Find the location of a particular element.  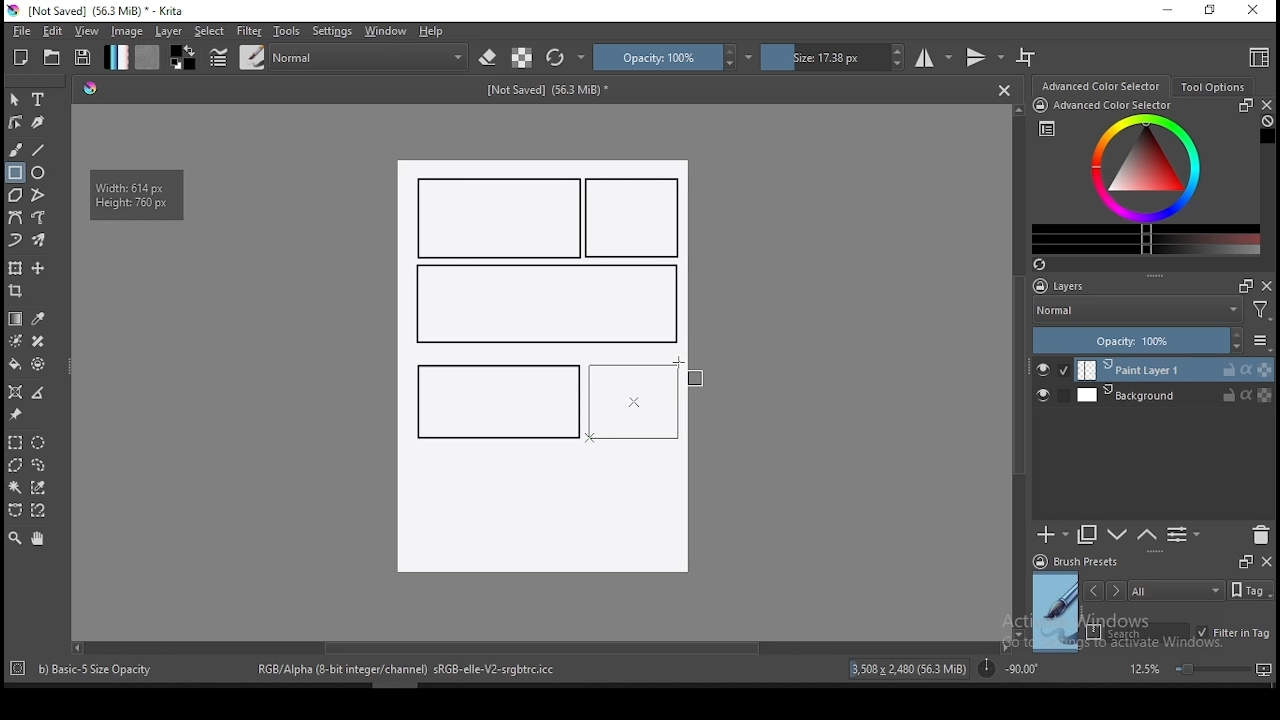

pan tool is located at coordinates (36, 539).